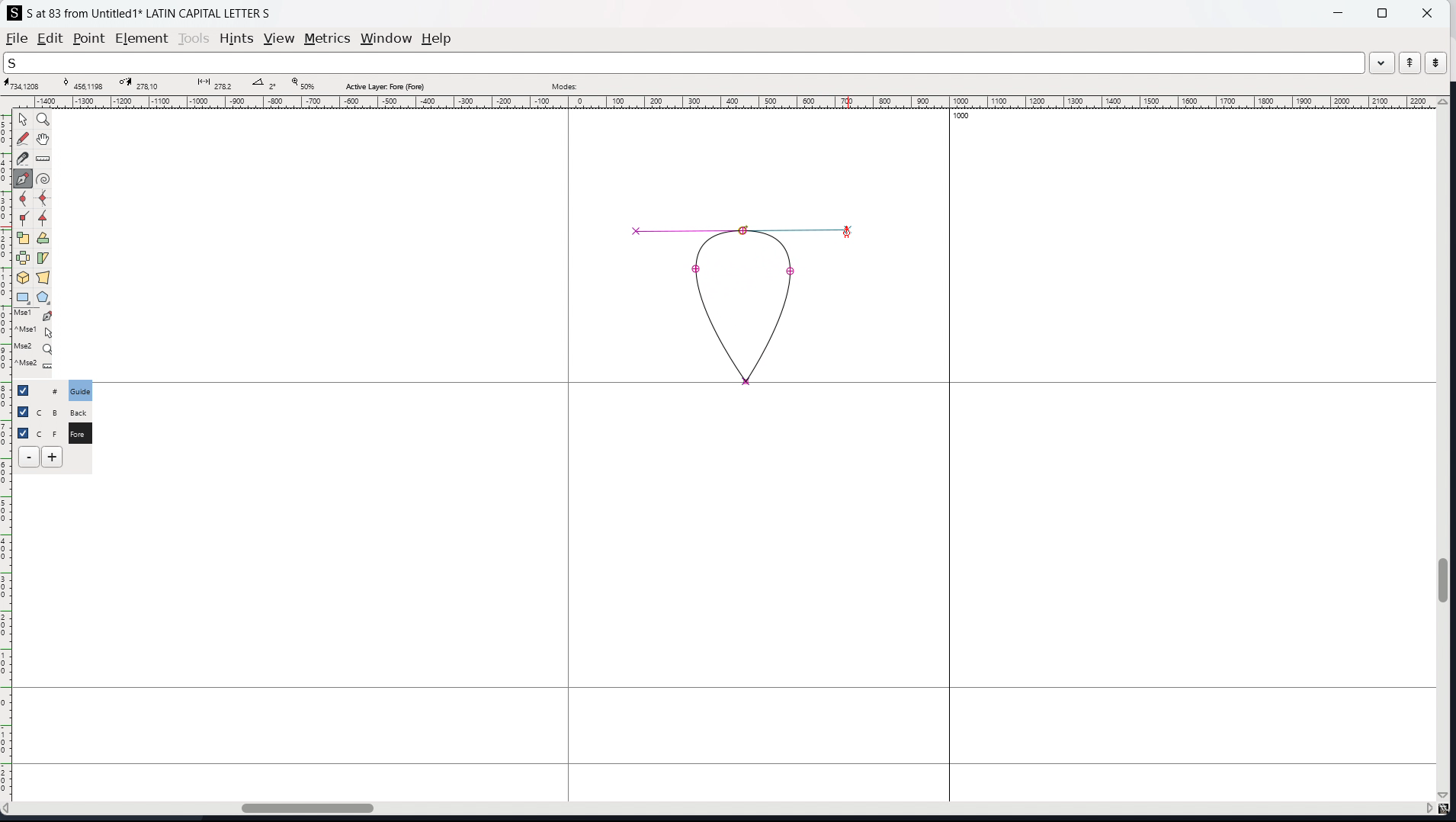  What do you see at coordinates (43, 219) in the screenshot?
I see `add a tangent point` at bounding box center [43, 219].